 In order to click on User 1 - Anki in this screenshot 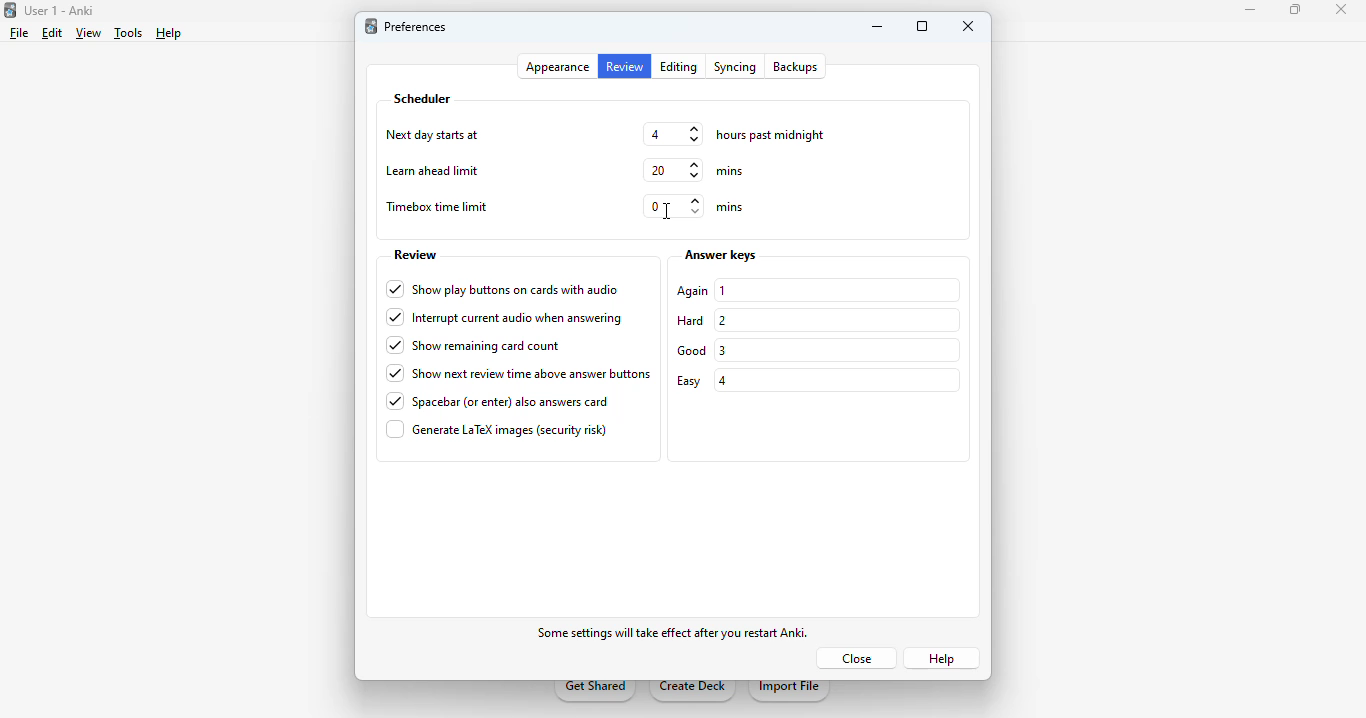, I will do `click(60, 11)`.